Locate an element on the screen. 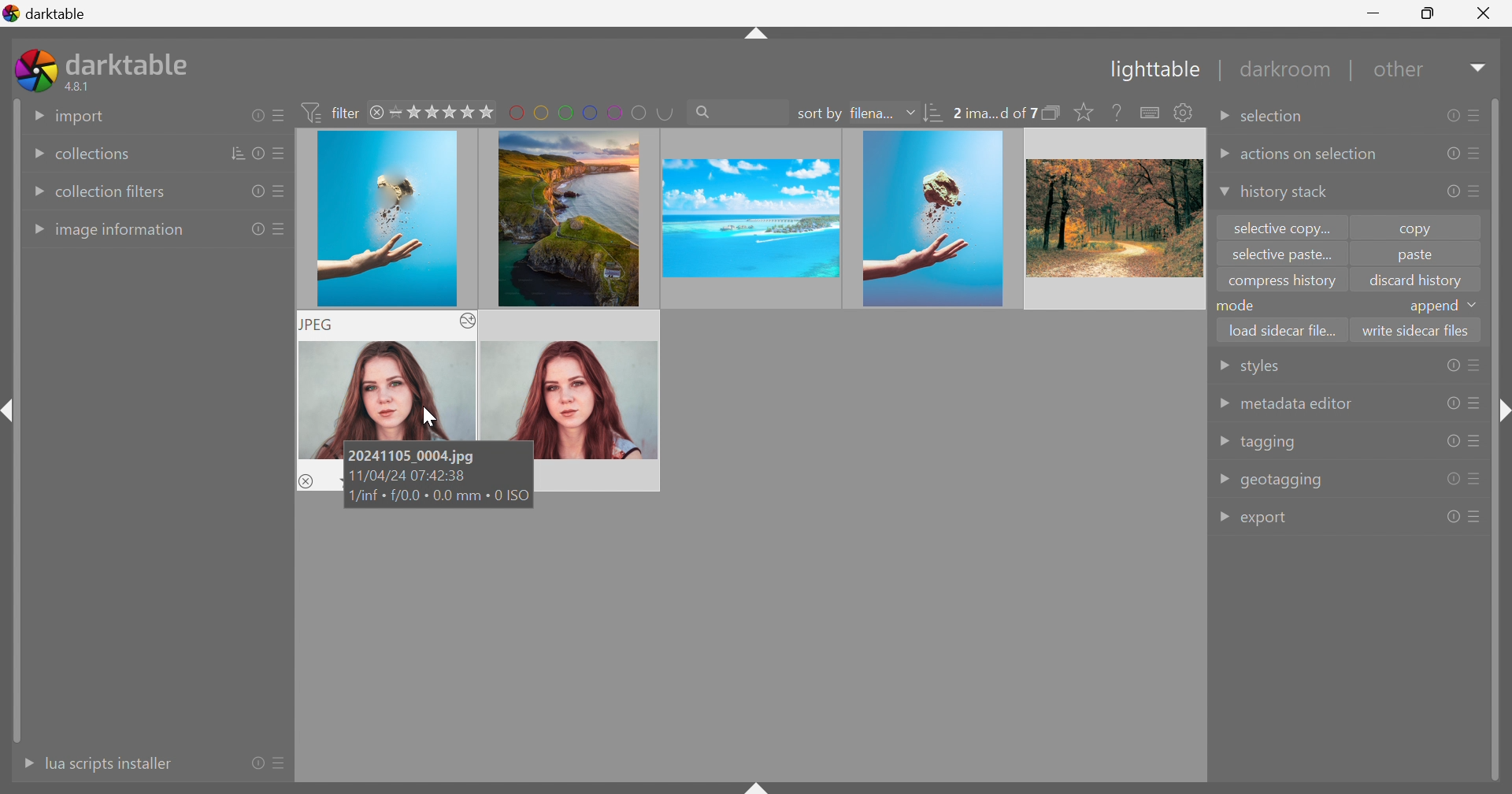  reset is located at coordinates (1452, 403).